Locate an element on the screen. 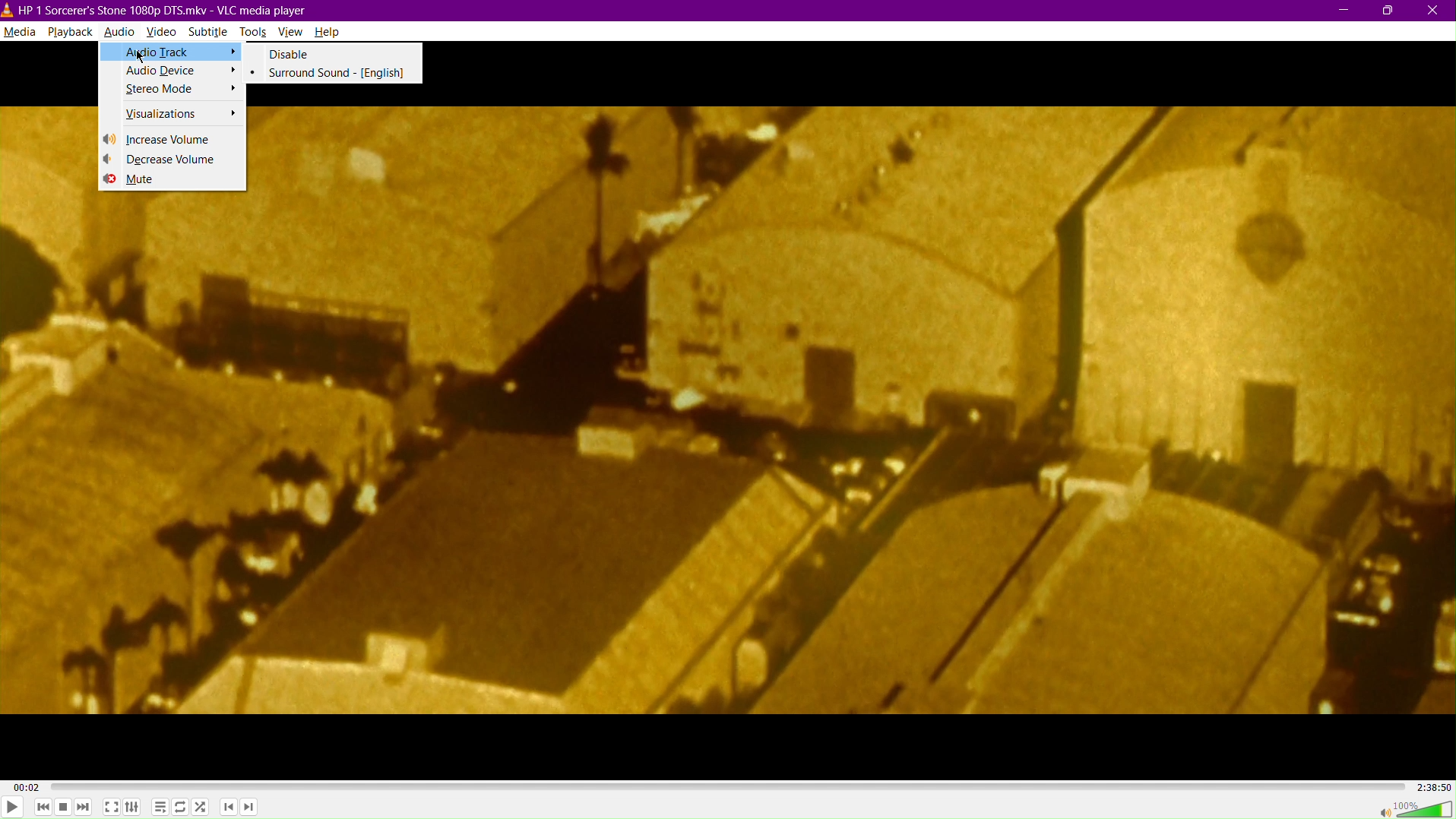 The height and width of the screenshot is (819, 1456). Close is located at coordinates (1436, 10).